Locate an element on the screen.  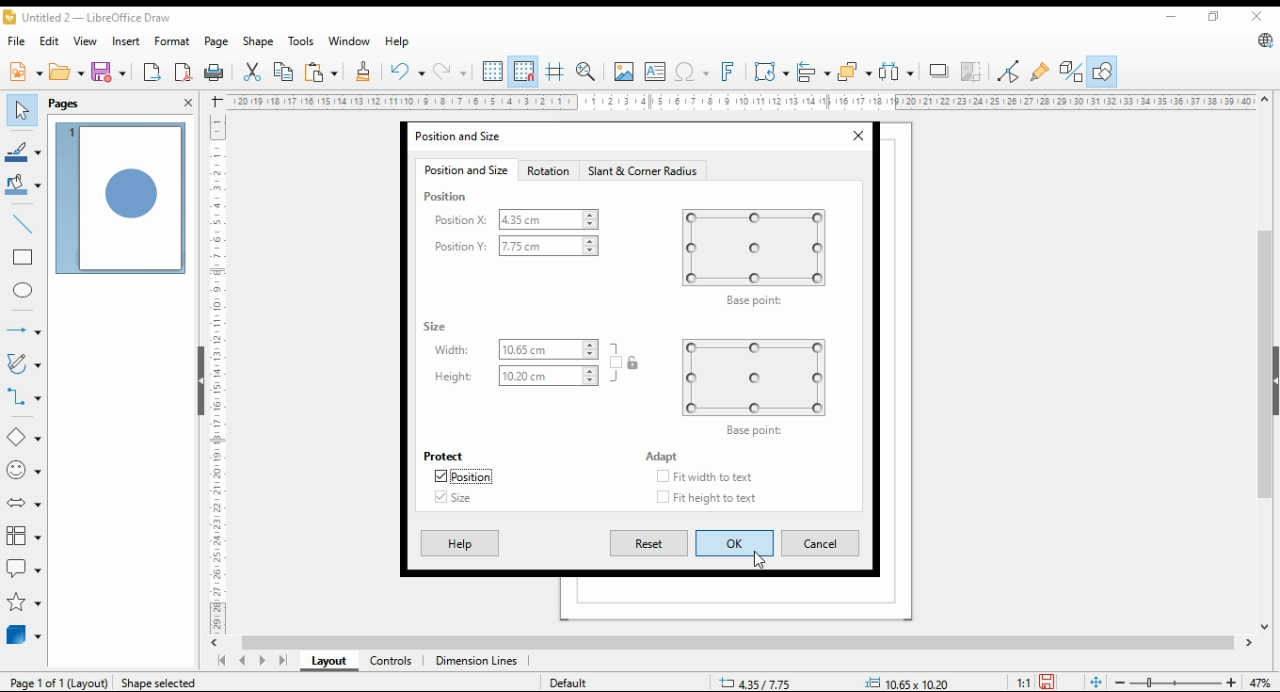
minimize is located at coordinates (1173, 18).